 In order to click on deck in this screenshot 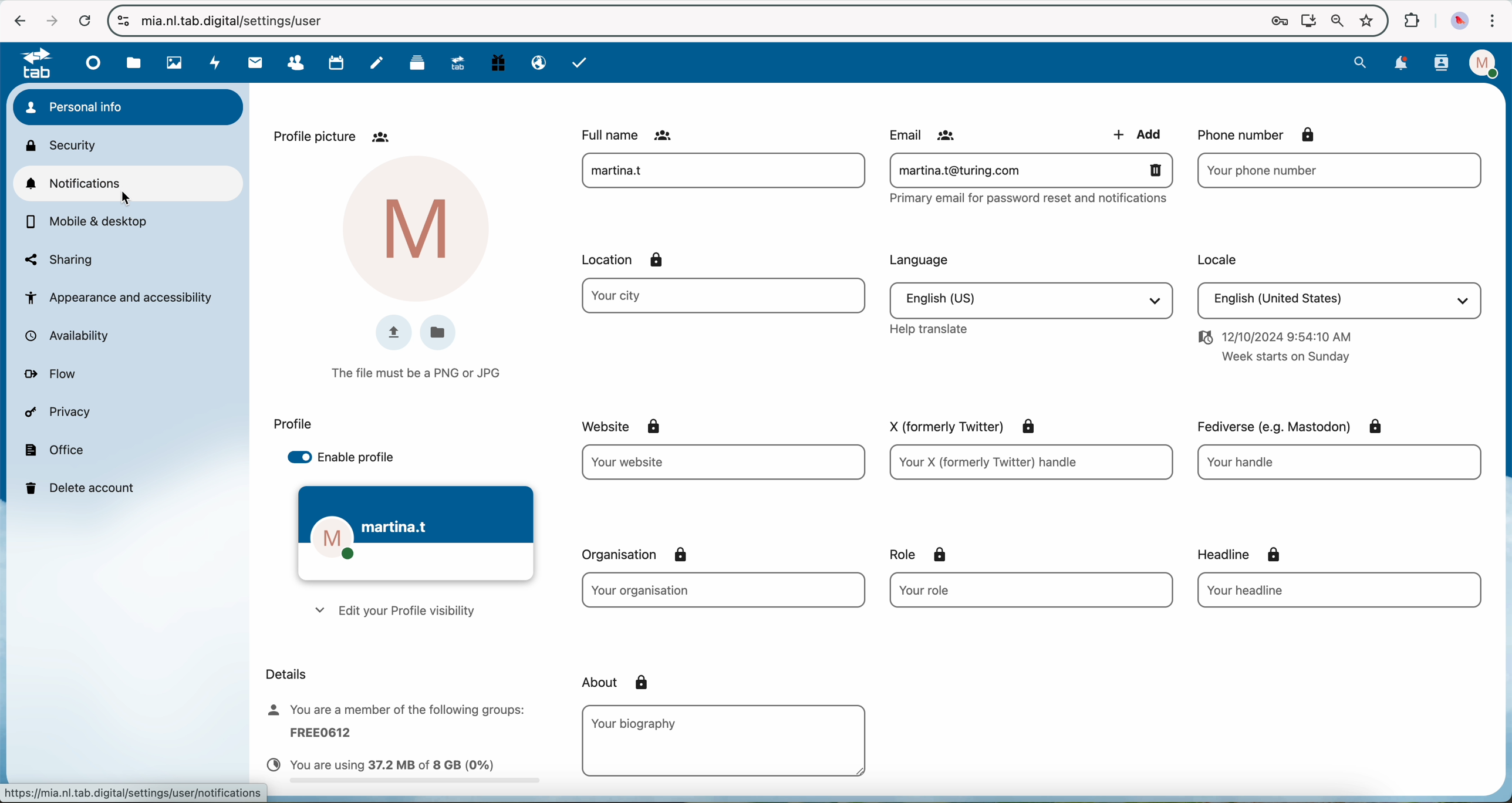, I will do `click(417, 66)`.